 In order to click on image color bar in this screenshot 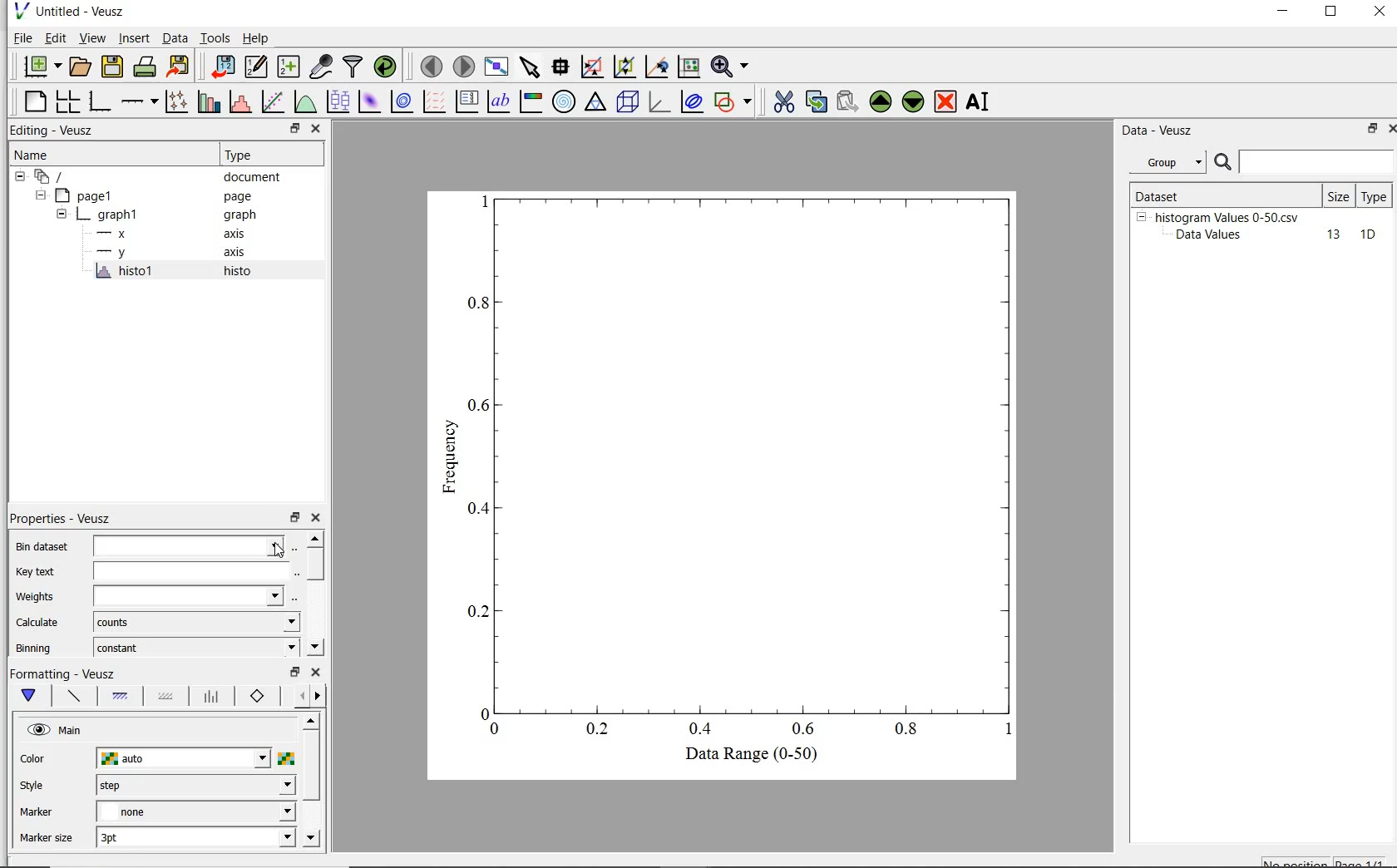, I will do `click(532, 101)`.